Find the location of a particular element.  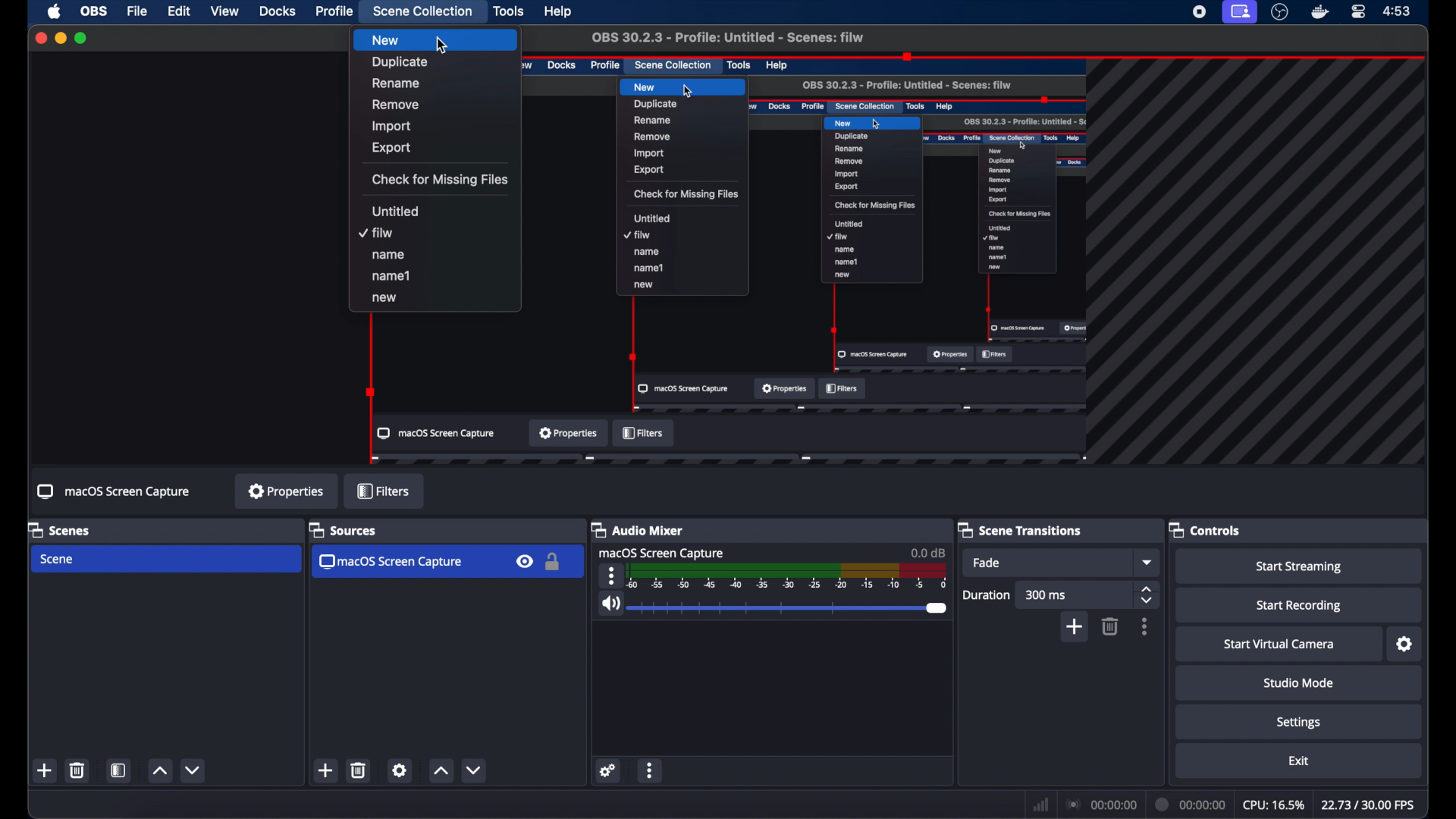

filew is located at coordinates (376, 233).